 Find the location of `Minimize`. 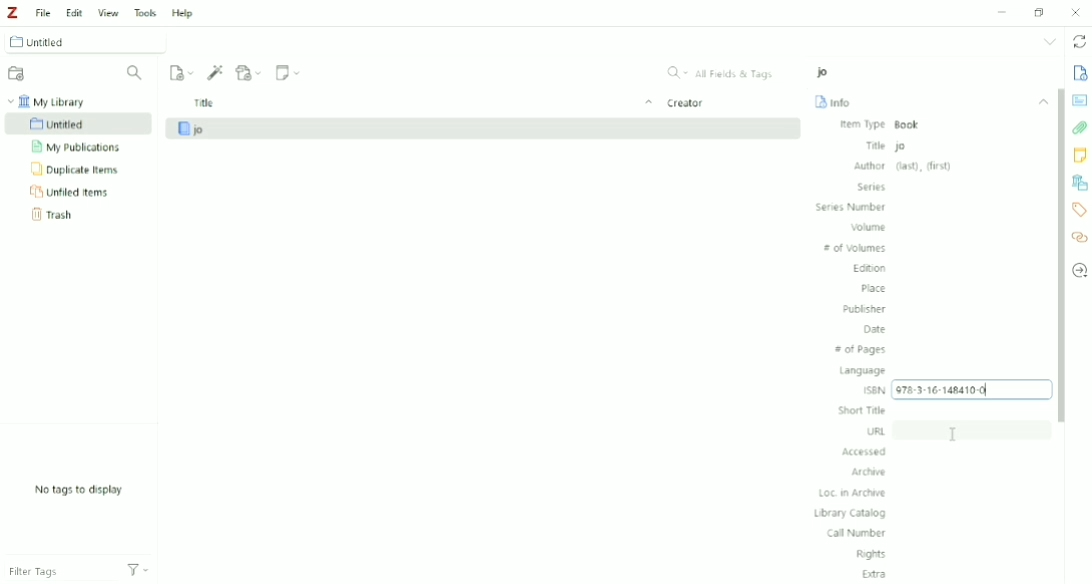

Minimize is located at coordinates (1001, 12).